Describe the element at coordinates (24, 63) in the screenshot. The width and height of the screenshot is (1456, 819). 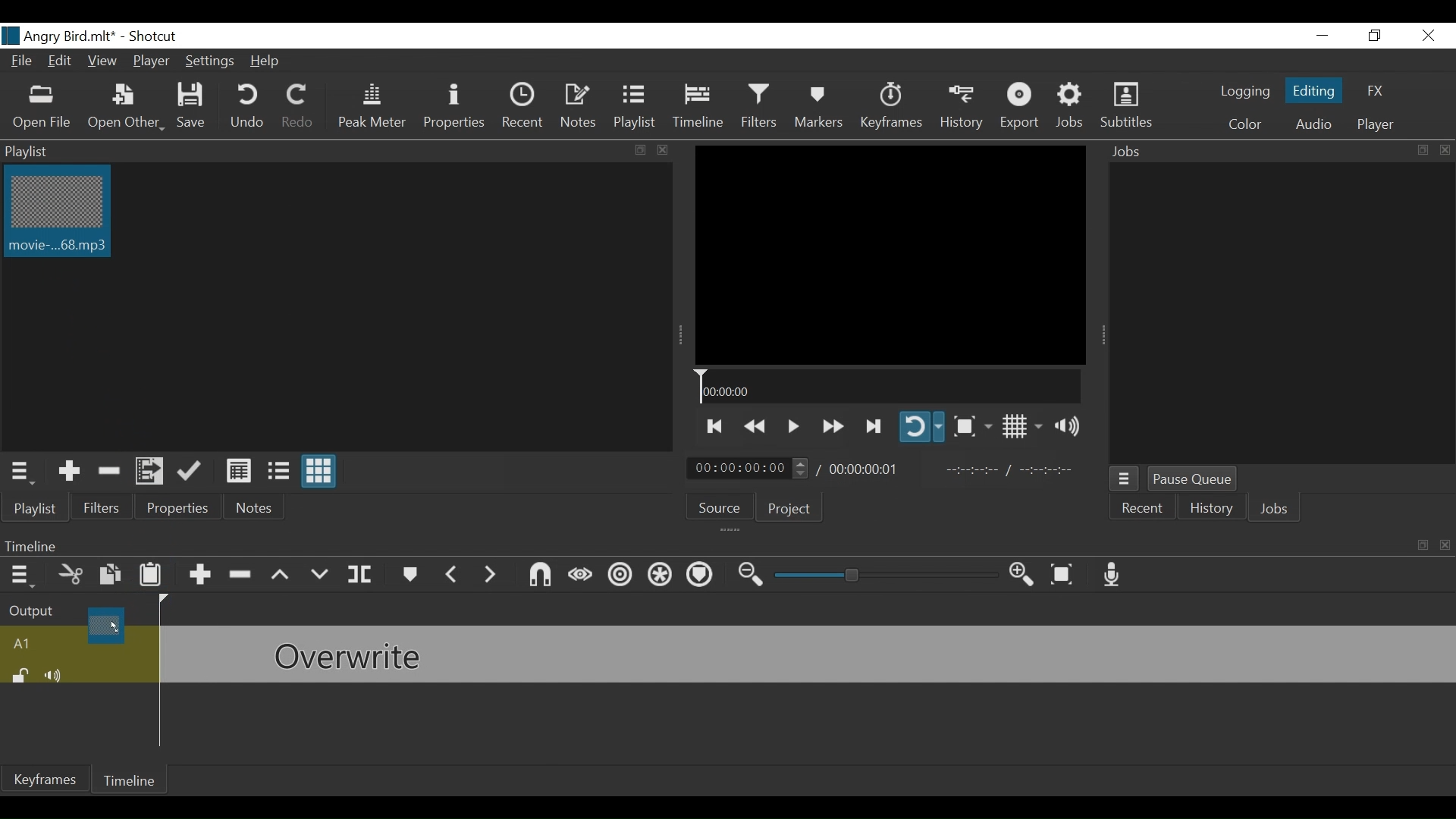
I see `File` at that location.